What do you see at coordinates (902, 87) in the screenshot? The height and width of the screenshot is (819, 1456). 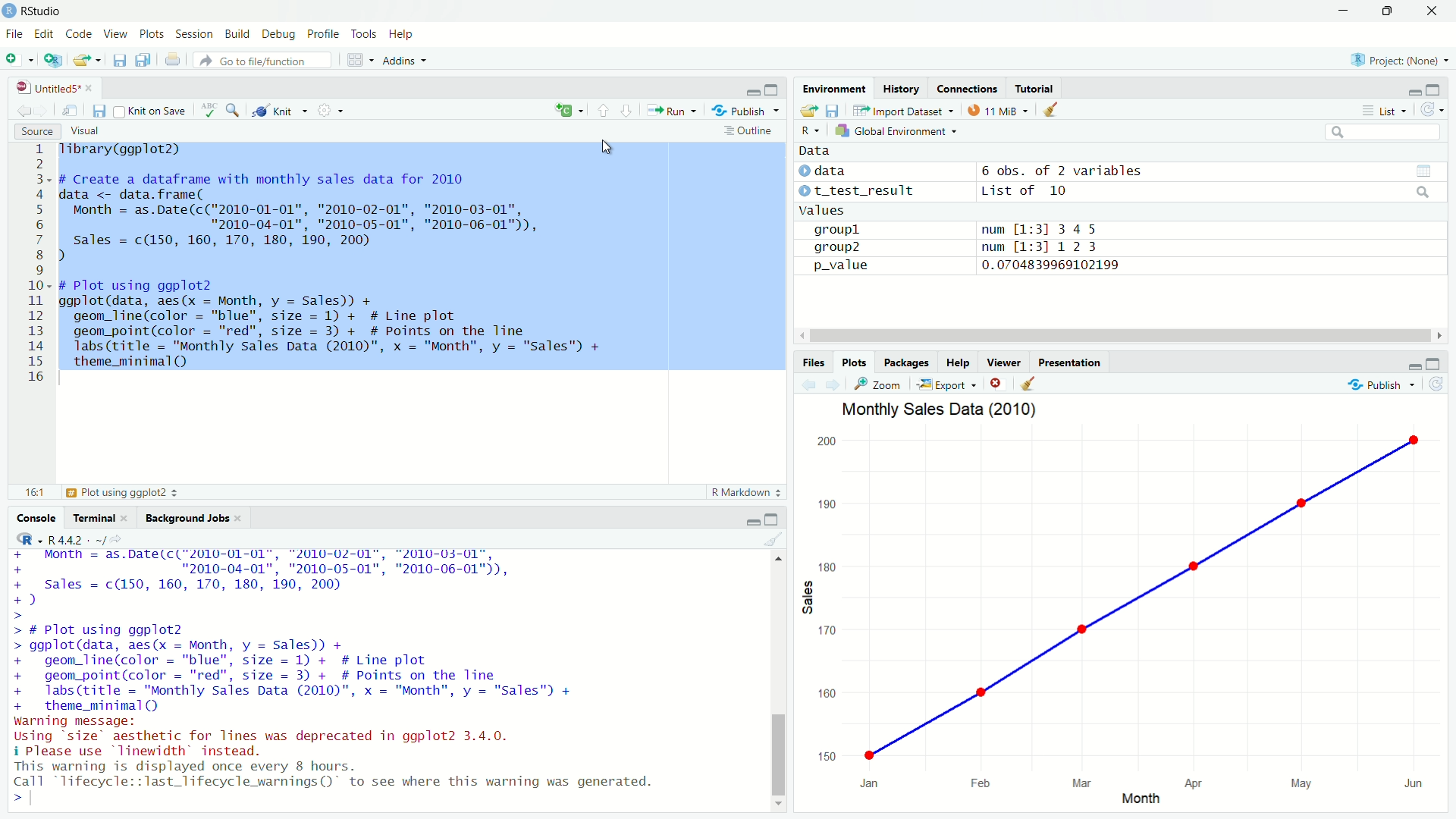 I see `History` at bounding box center [902, 87].